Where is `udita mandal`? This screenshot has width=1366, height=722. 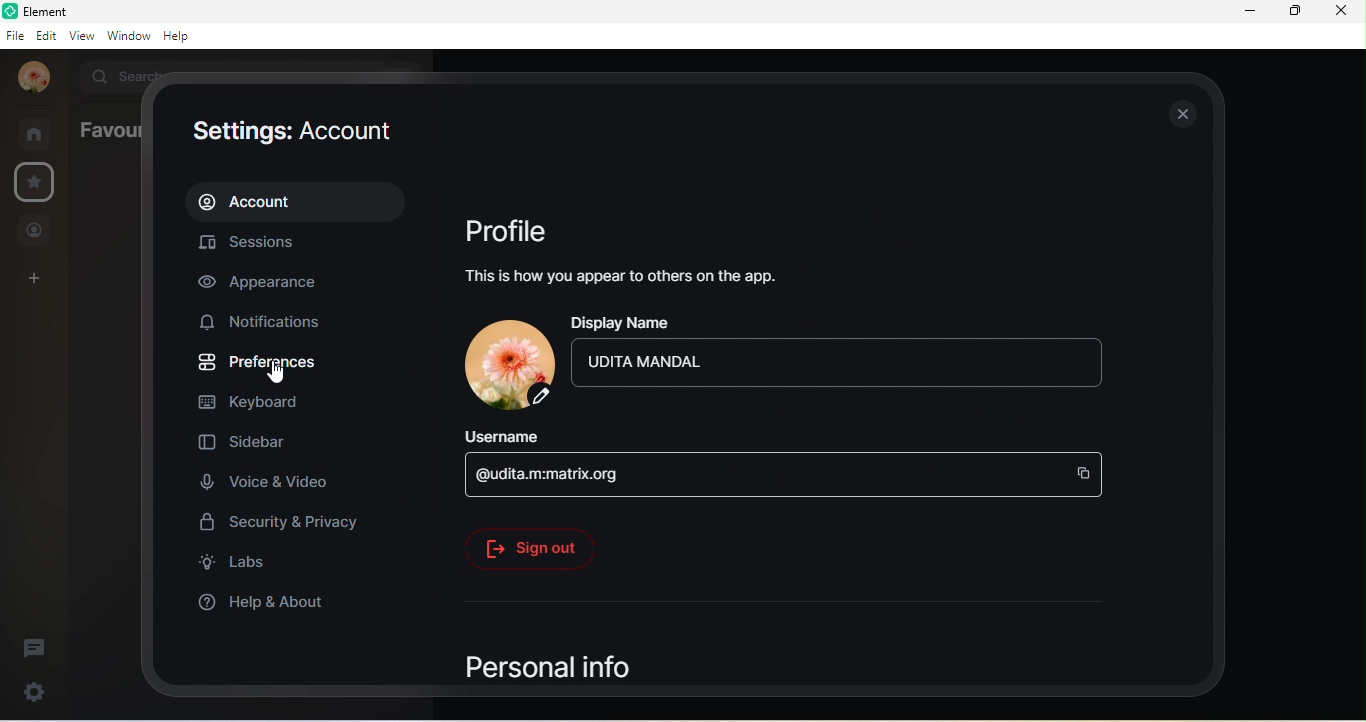
udita mandal is located at coordinates (841, 370).